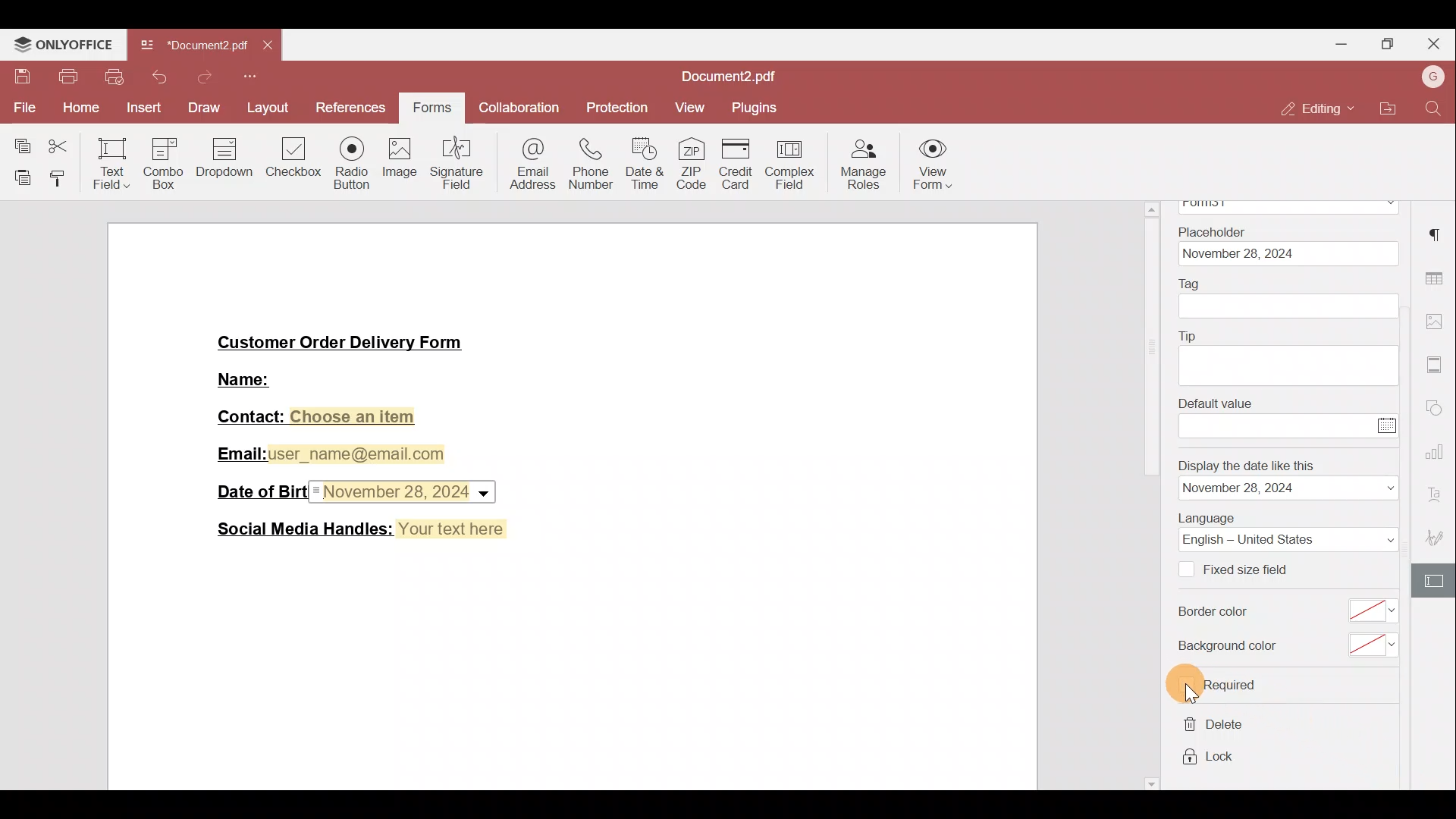  What do you see at coordinates (61, 176) in the screenshot?
I see `Copy style` at bounding box center [61, 176].